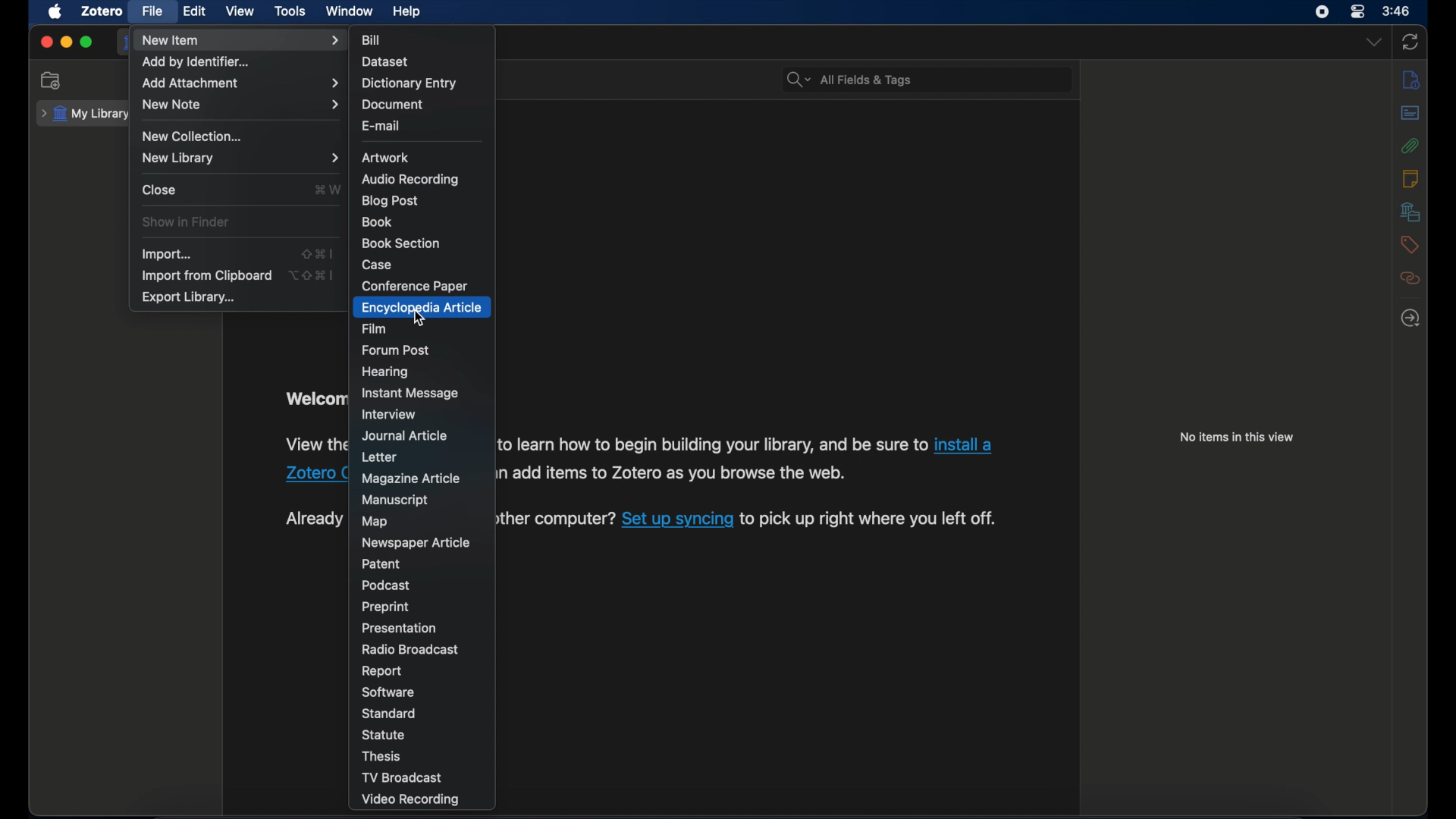  Describe the element at coordinates (413, 180) in the screenshot. I see `audio recording` at that location.